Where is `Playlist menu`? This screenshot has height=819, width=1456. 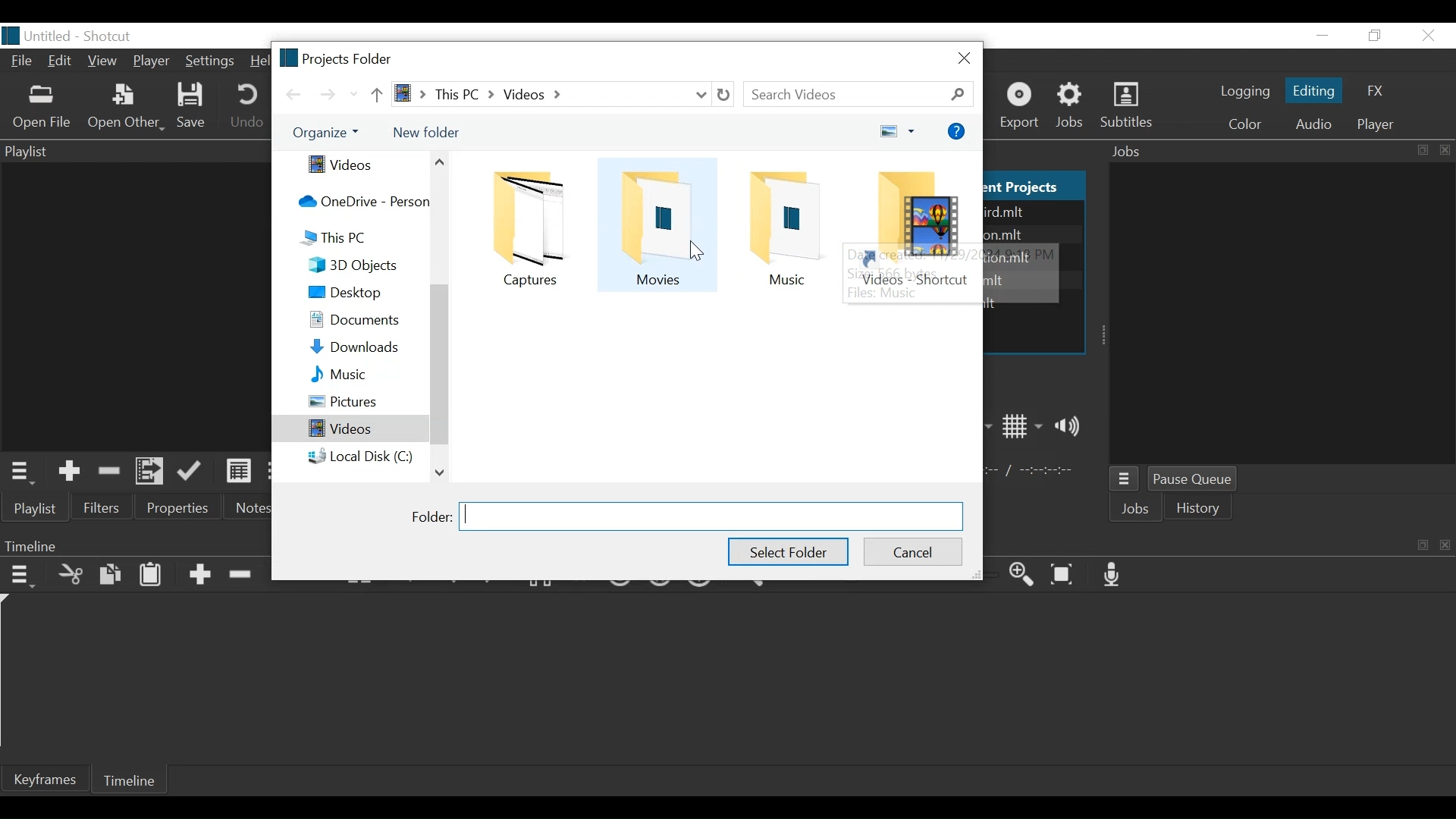 Playlist menu is located at coordinates (42, 509).